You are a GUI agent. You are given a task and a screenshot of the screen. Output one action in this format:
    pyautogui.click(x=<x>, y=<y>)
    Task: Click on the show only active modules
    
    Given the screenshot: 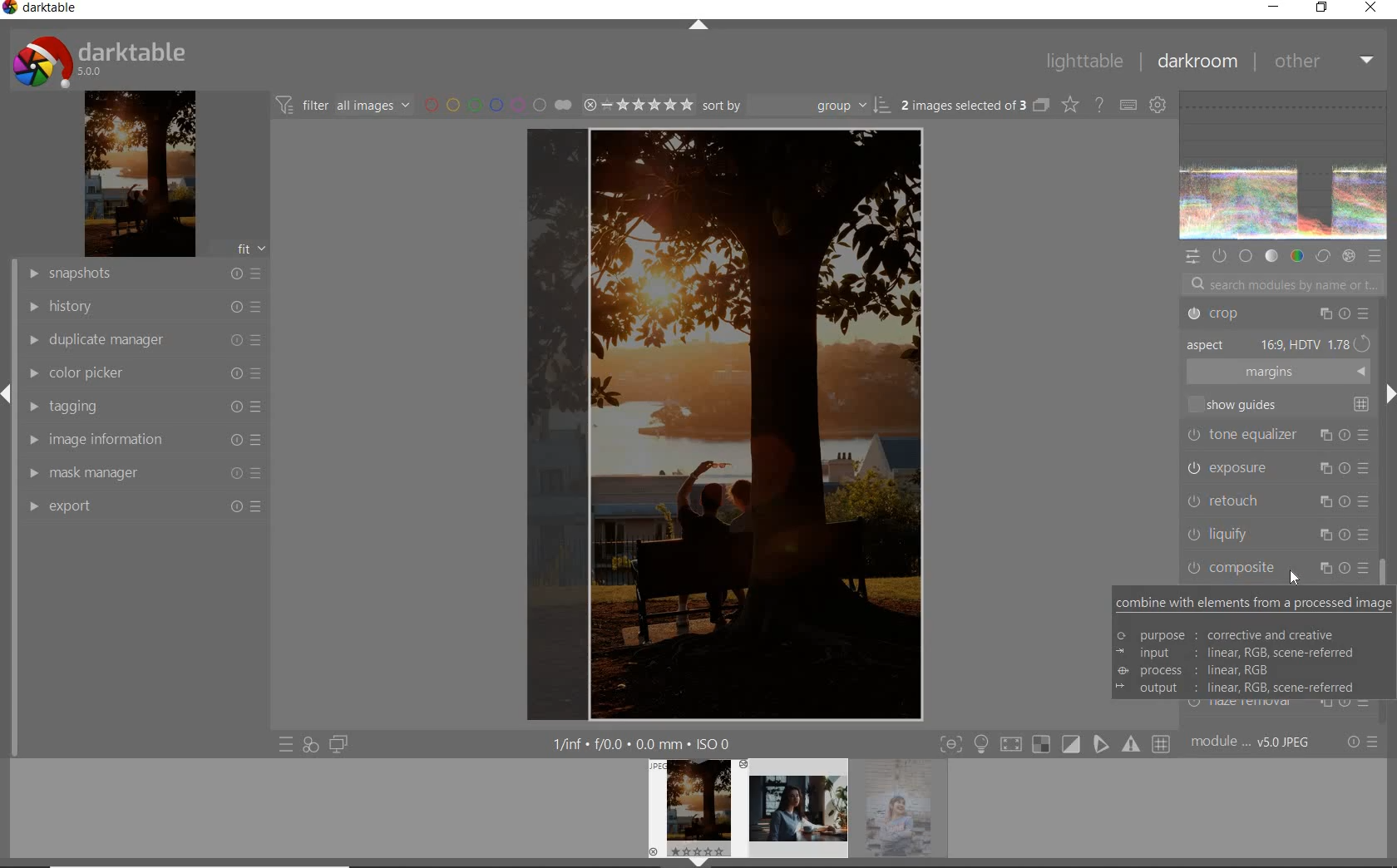 What is the action you would take?
    pyautogui.click(x=1221, y=255)
    